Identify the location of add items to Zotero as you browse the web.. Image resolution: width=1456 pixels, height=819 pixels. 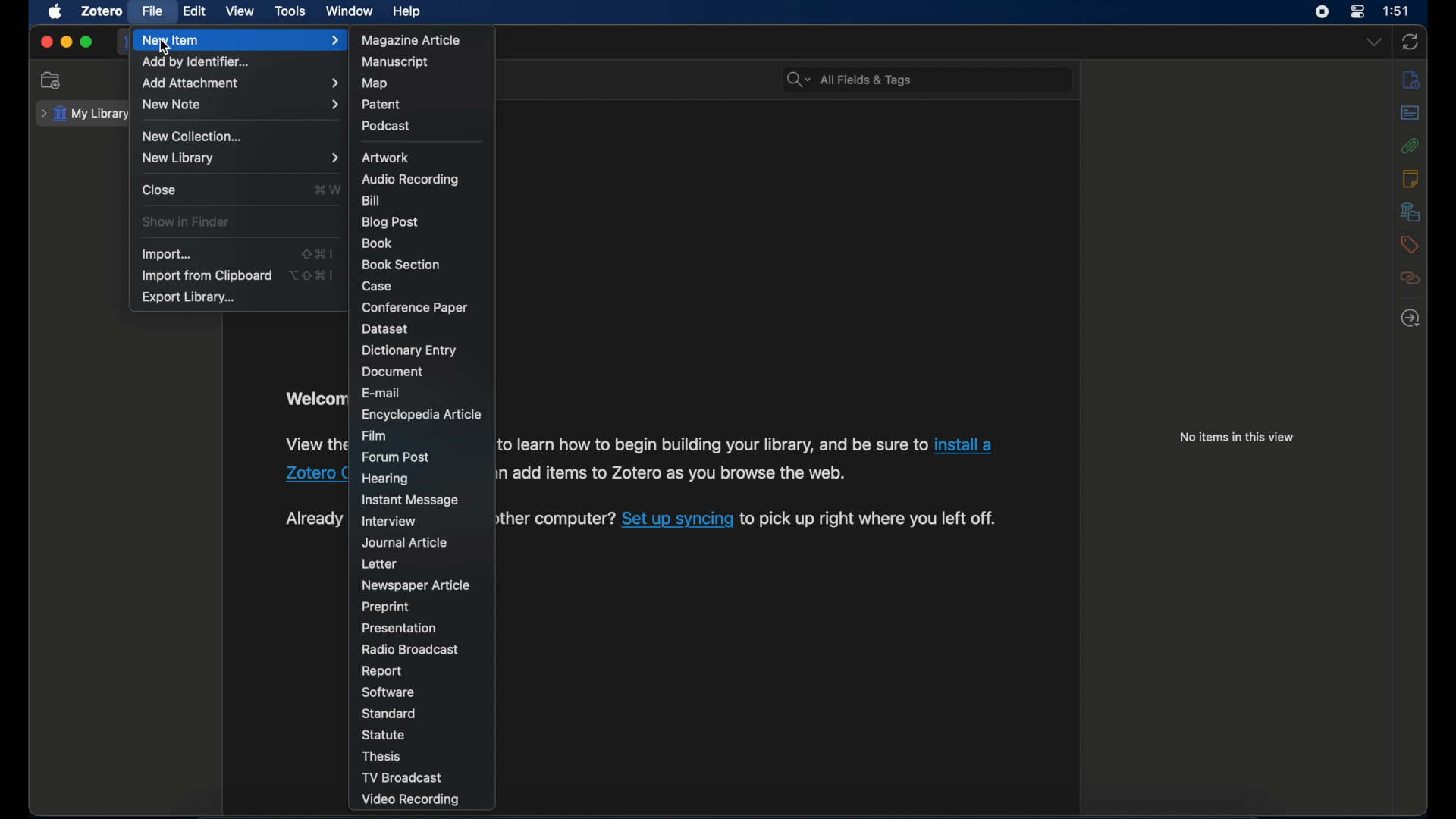
(680, 475).